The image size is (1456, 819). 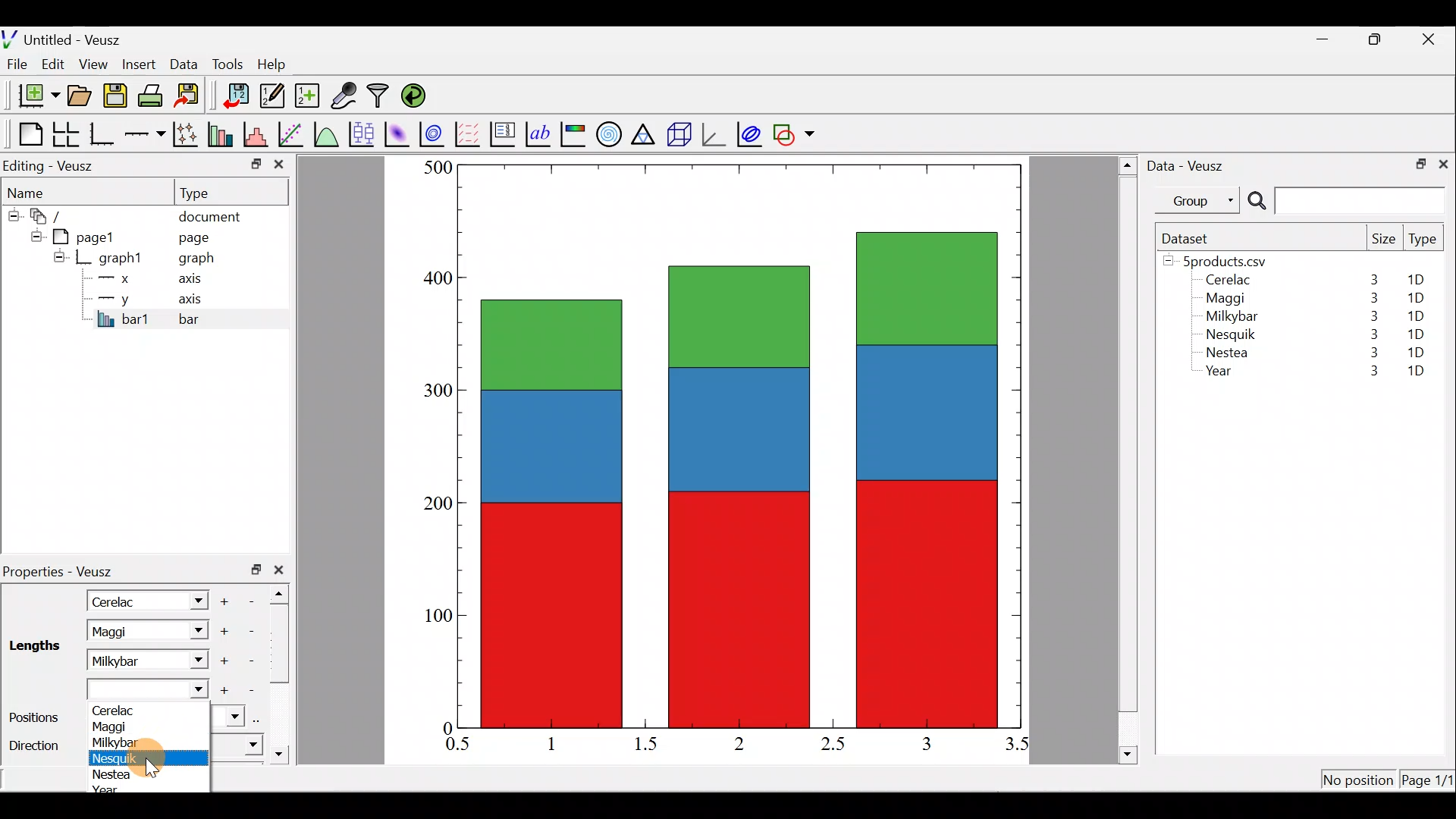 What do you see at coordinates (191, 600) in the screenshot?
I see `Length dropdown` at bounding box center [191, 600].